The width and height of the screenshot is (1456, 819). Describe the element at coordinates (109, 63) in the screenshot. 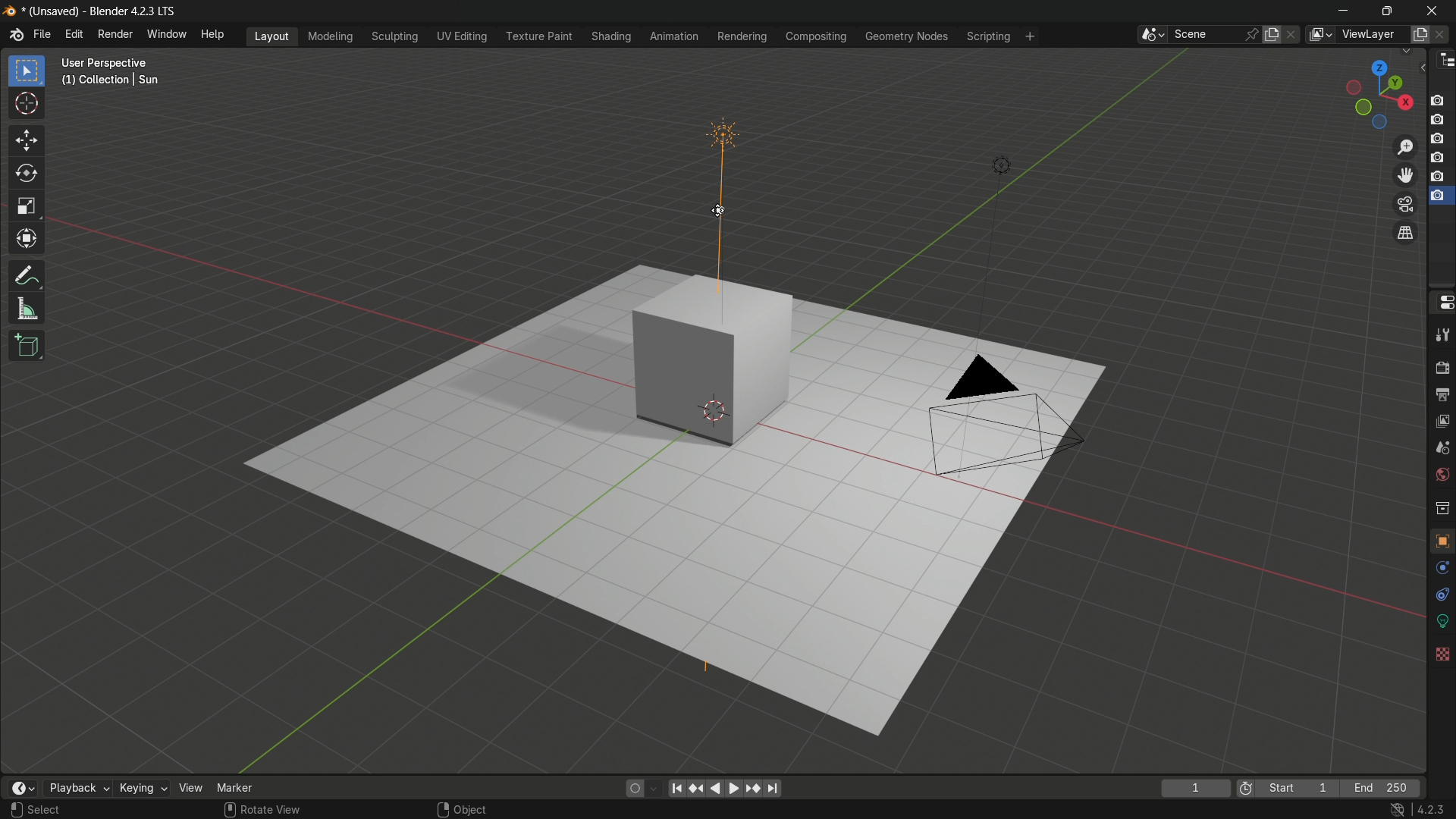

I see `User Perspective` at that location.